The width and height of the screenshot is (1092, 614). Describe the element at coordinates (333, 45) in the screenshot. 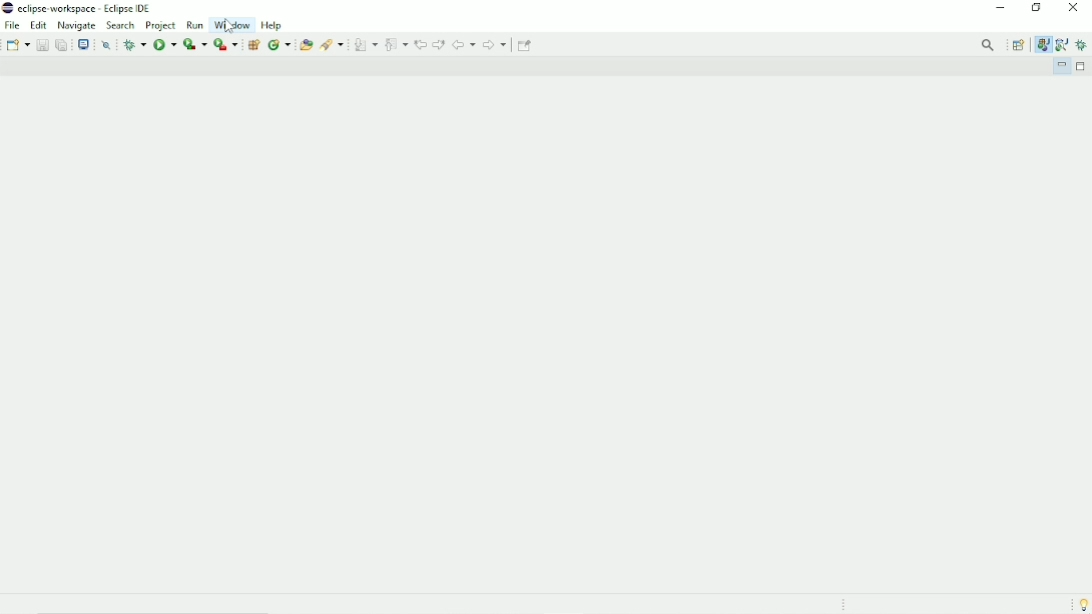

I see `Search` at that location.